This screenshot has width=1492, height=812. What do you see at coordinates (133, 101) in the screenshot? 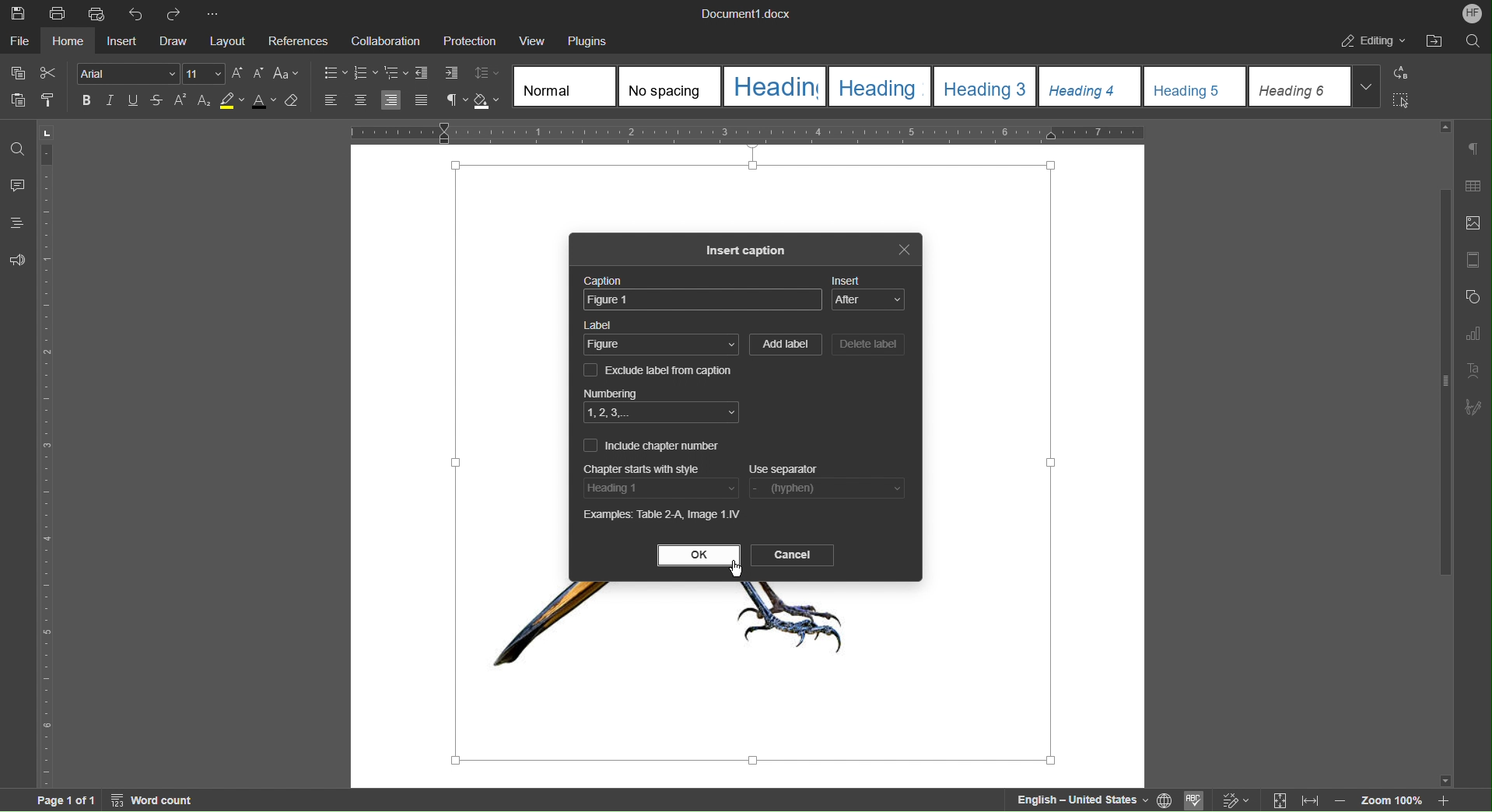
I see `Underline` at bounding box center [133, 101].